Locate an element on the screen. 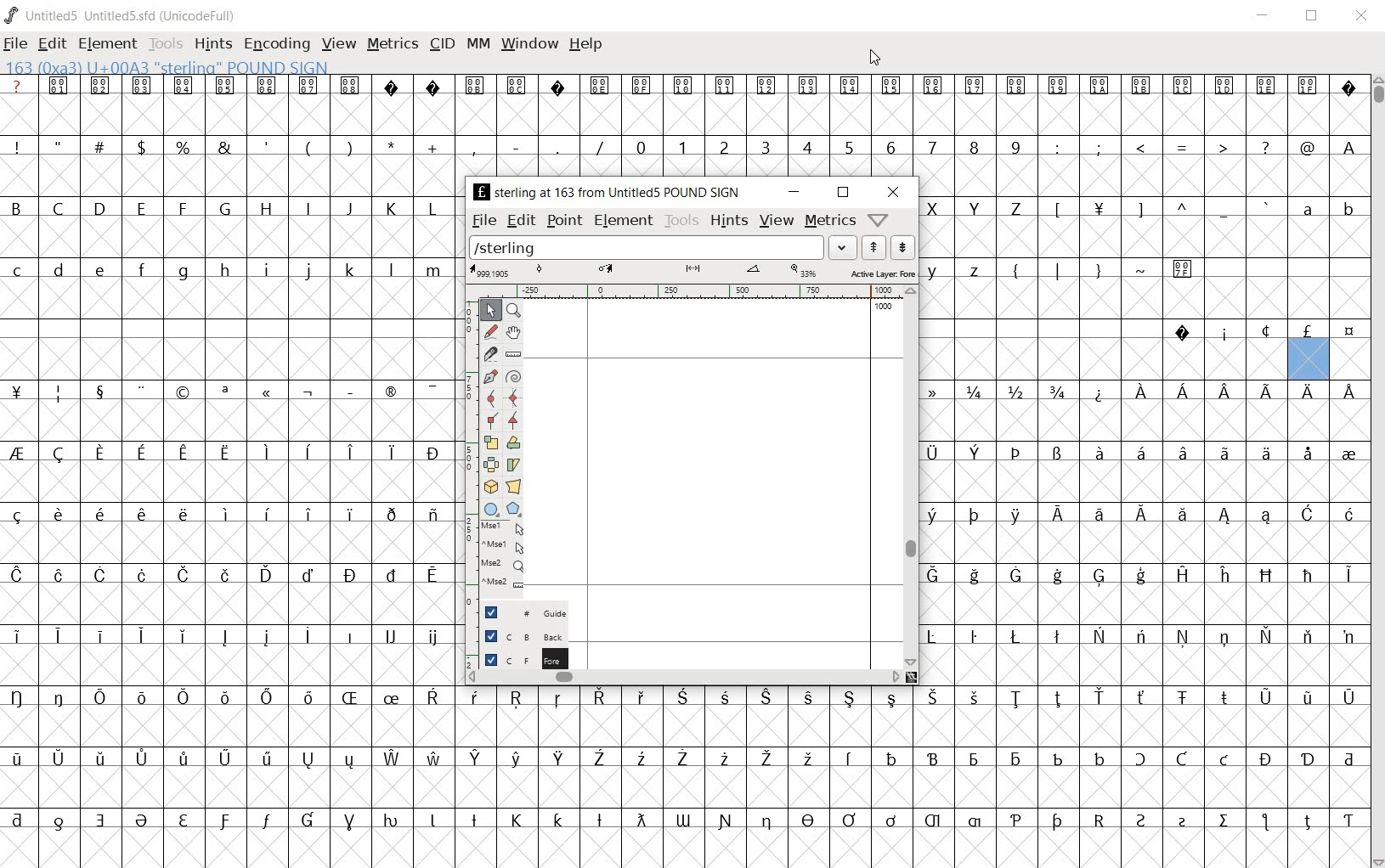 This screenshot has height=868, width=1385. Symbol is located at coordinates (1015, 516).